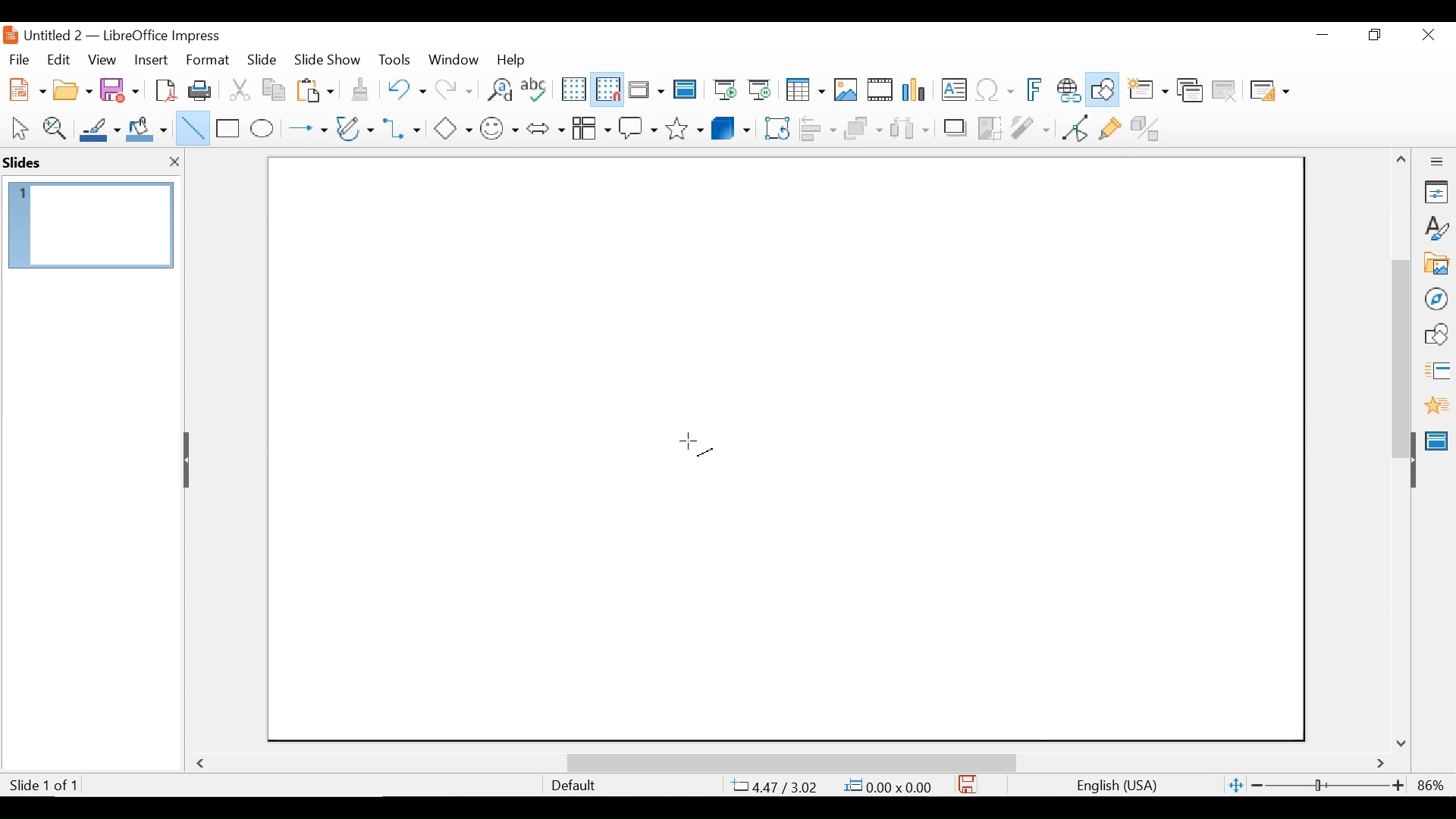 The width and height of the screenshot is (1456, 819). I want to click on Insert Audio or Video, so click(880, 91).